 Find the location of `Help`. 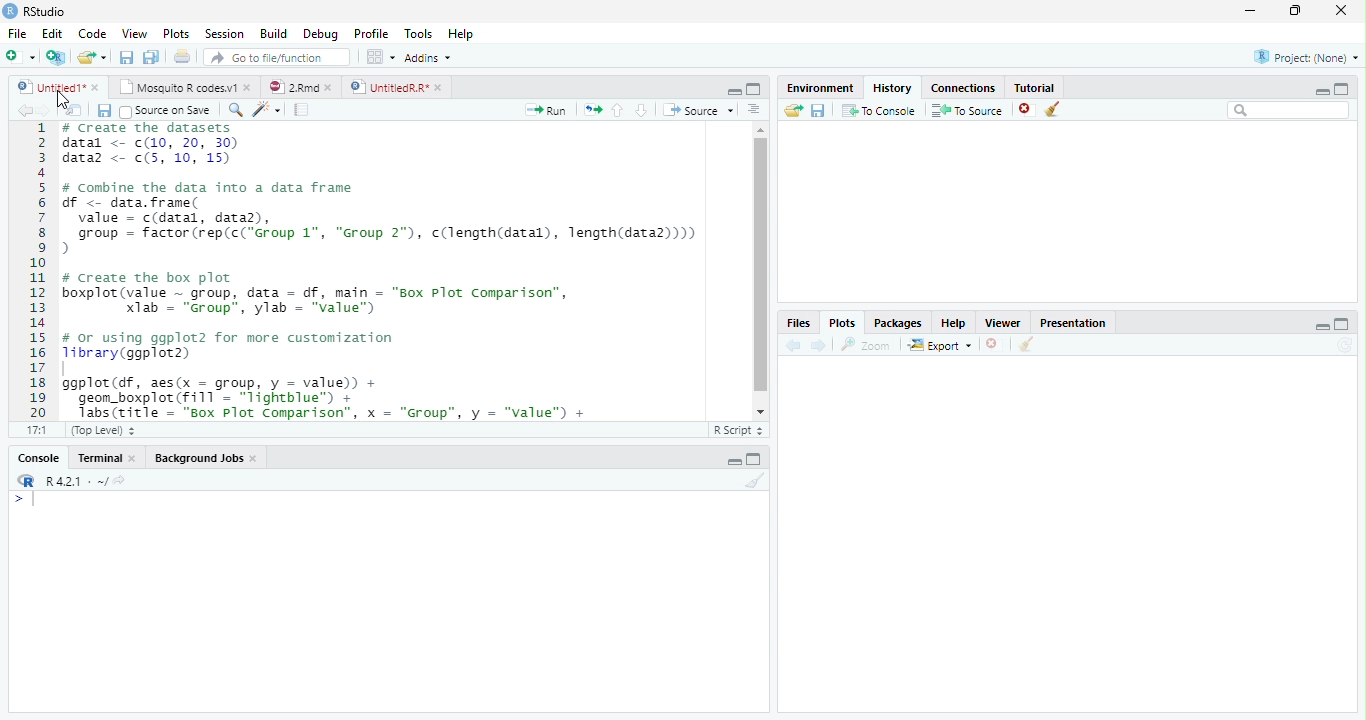

Help is located at coordinates (954, 322).